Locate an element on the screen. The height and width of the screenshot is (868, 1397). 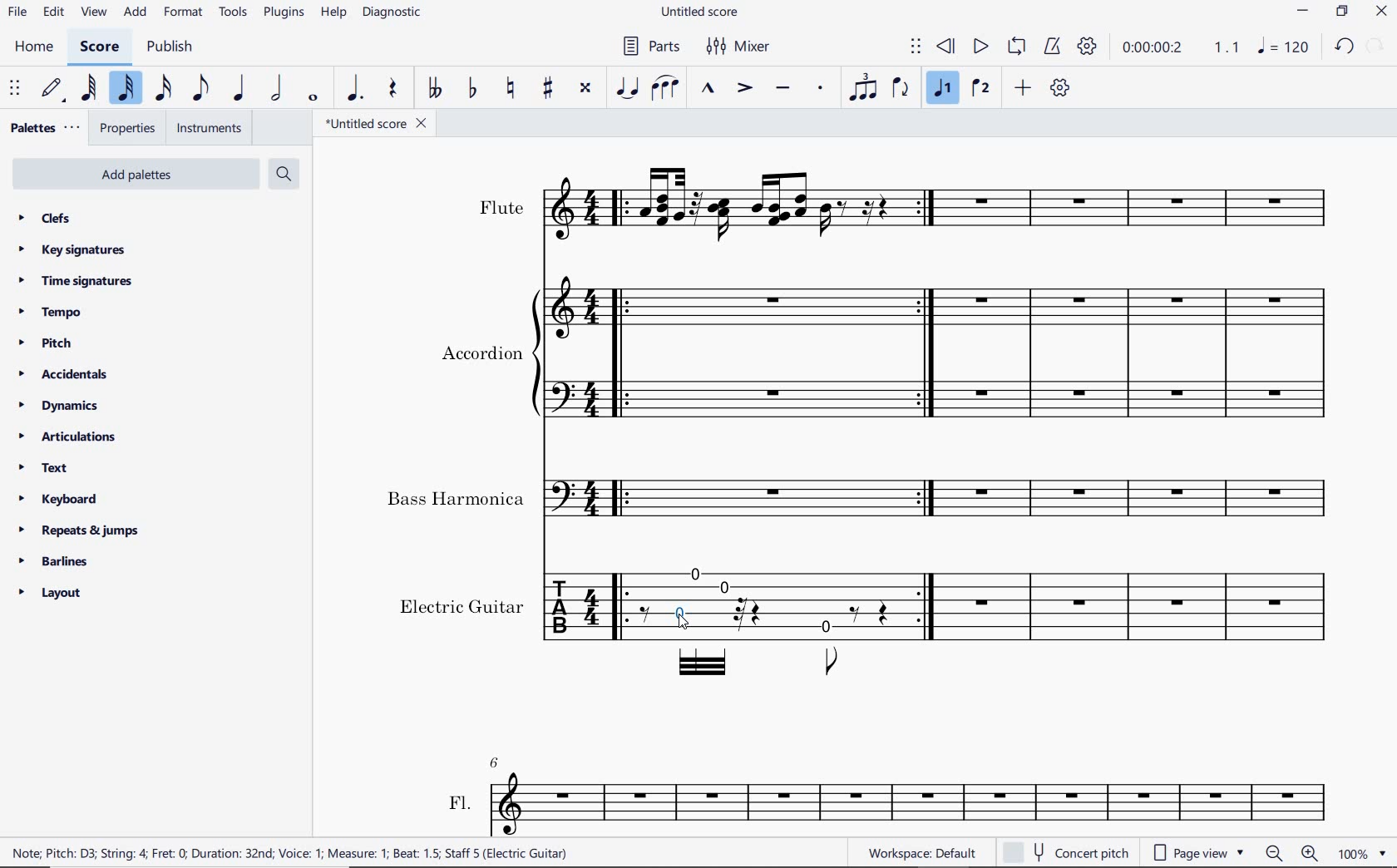
augmentation dot is located at coordinates (355, 89).